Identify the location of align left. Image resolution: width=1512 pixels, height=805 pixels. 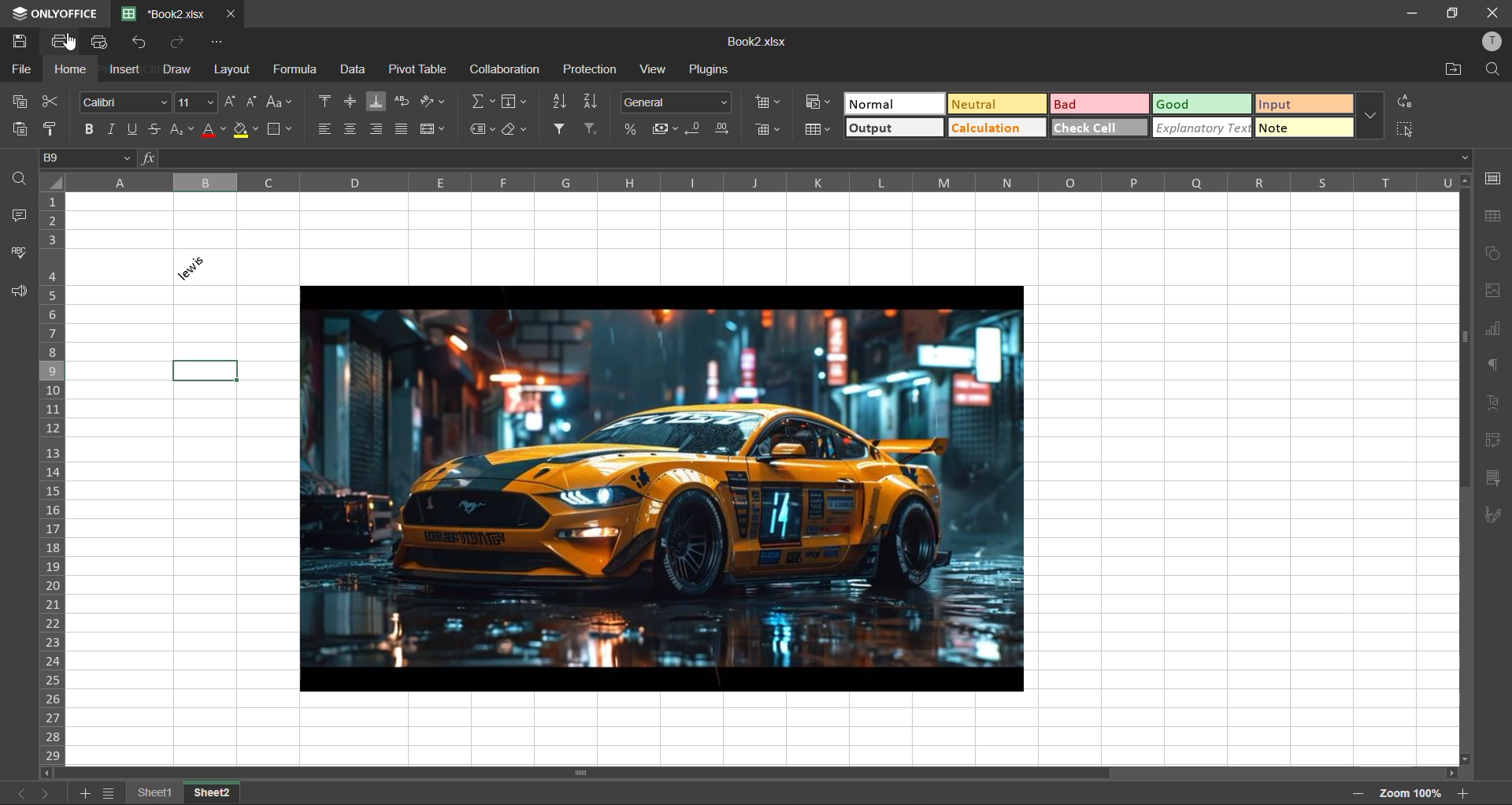
(328, 129).